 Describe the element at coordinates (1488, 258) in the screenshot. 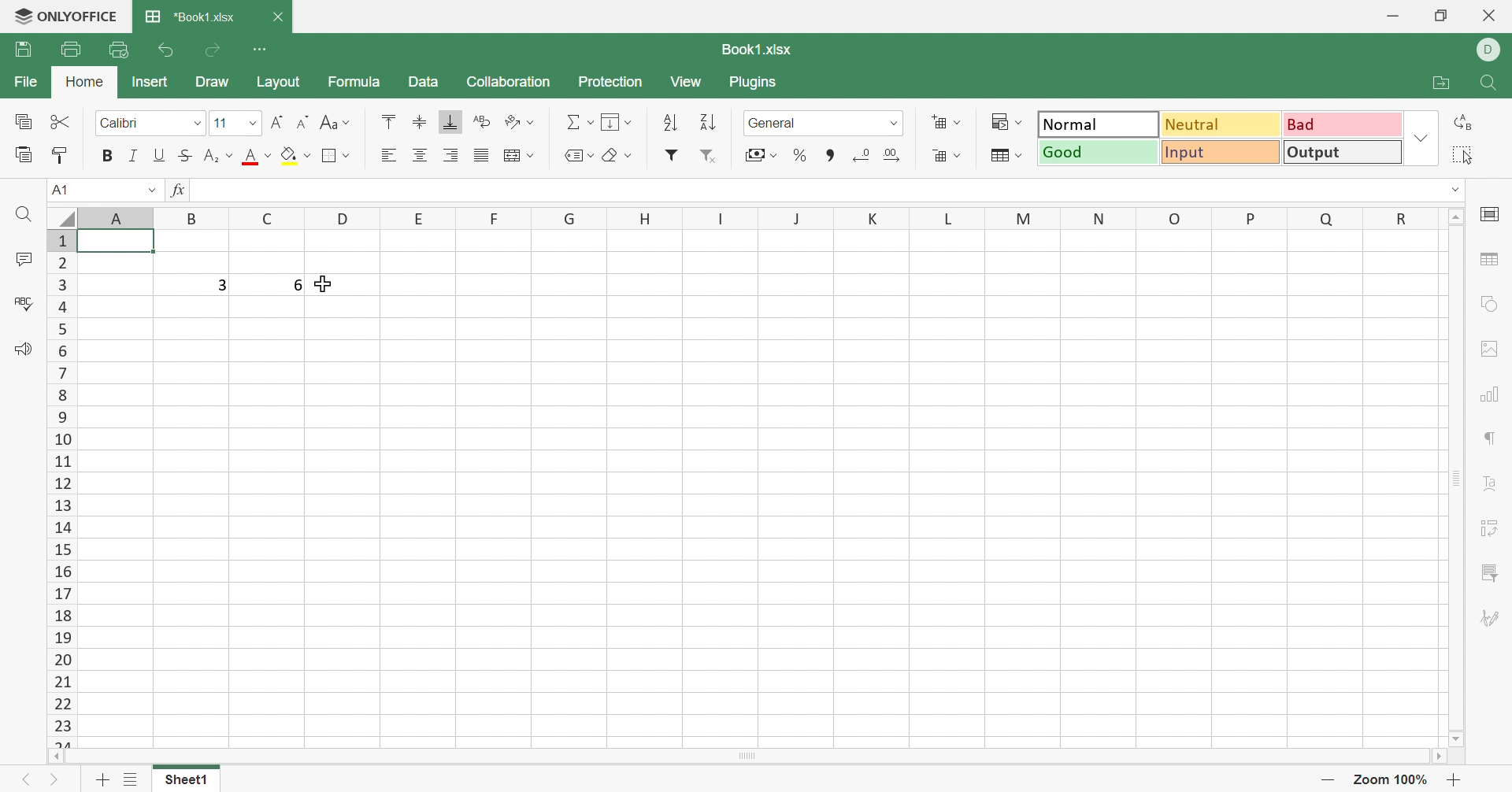

I see `Table settings` at that location.